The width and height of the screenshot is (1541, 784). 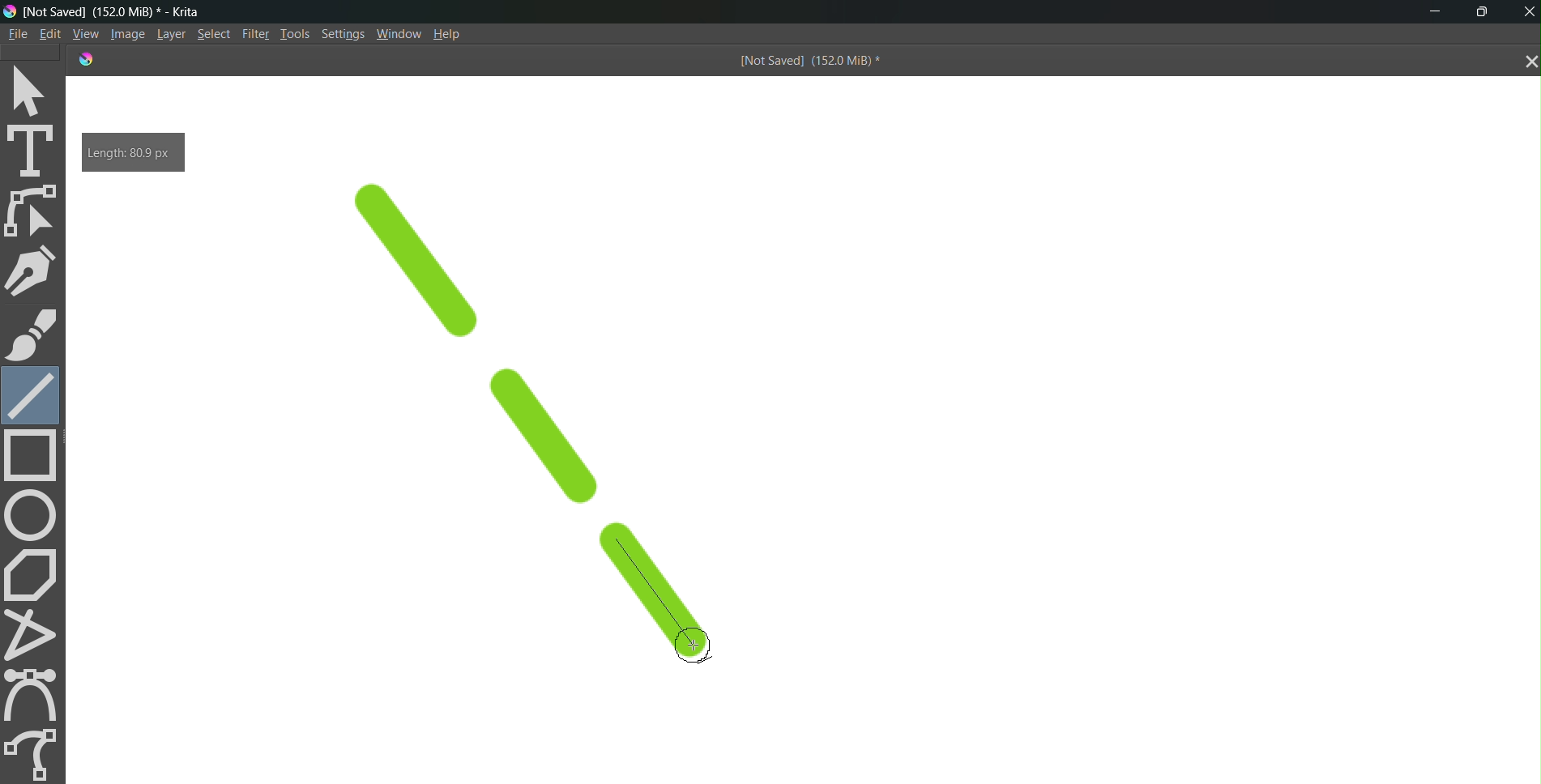 What do you see at coordinates (399, 34) in the screenshot?
I see `Window` at bounding box center [399, 34].